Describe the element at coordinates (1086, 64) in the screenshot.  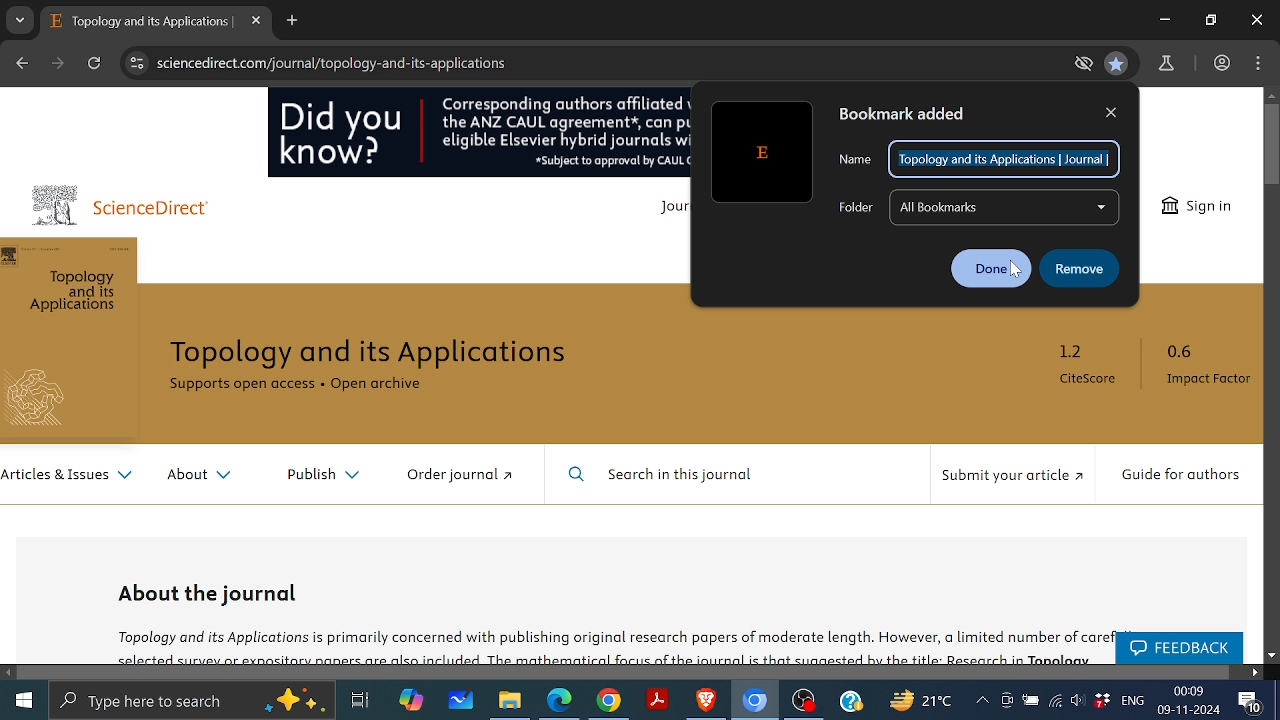
I see `Hide web address` at that location.